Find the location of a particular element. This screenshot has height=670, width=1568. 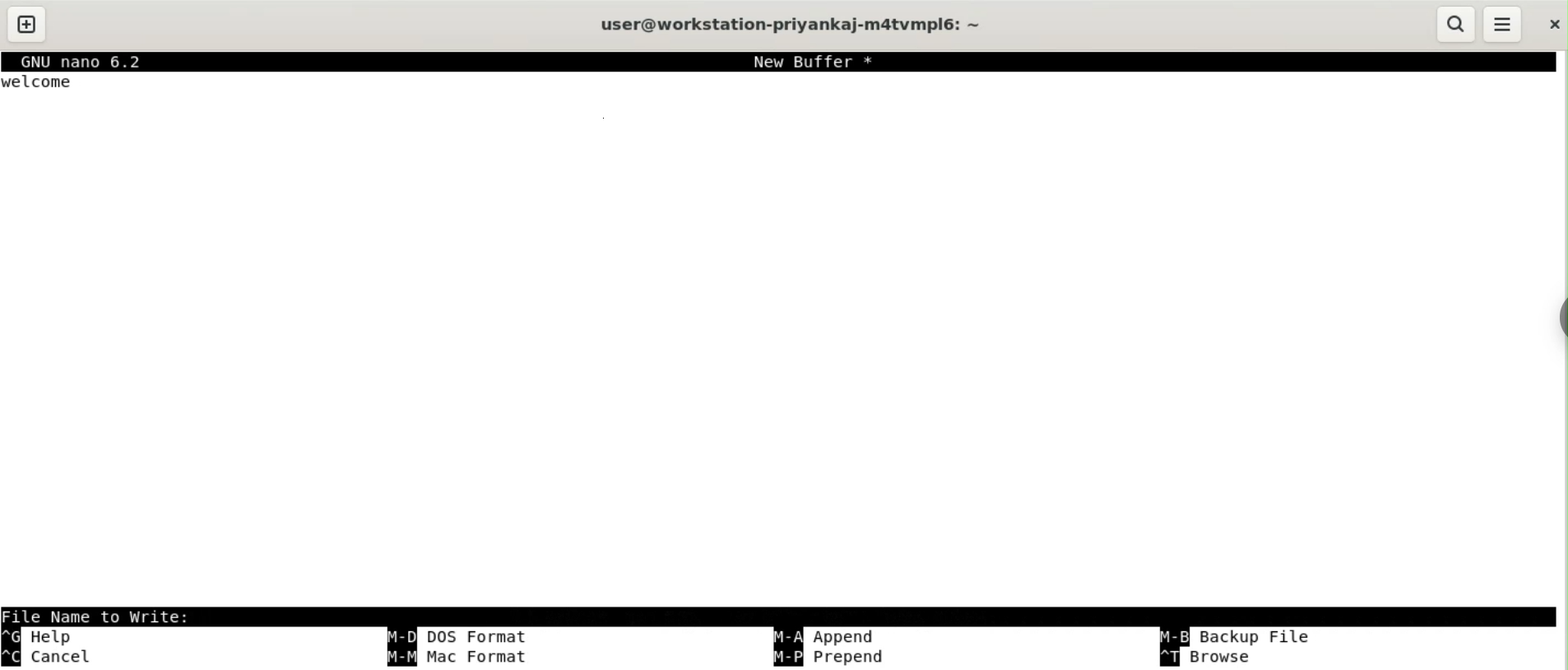

GNU nano 6.2 is located at coordinates (87, 63).